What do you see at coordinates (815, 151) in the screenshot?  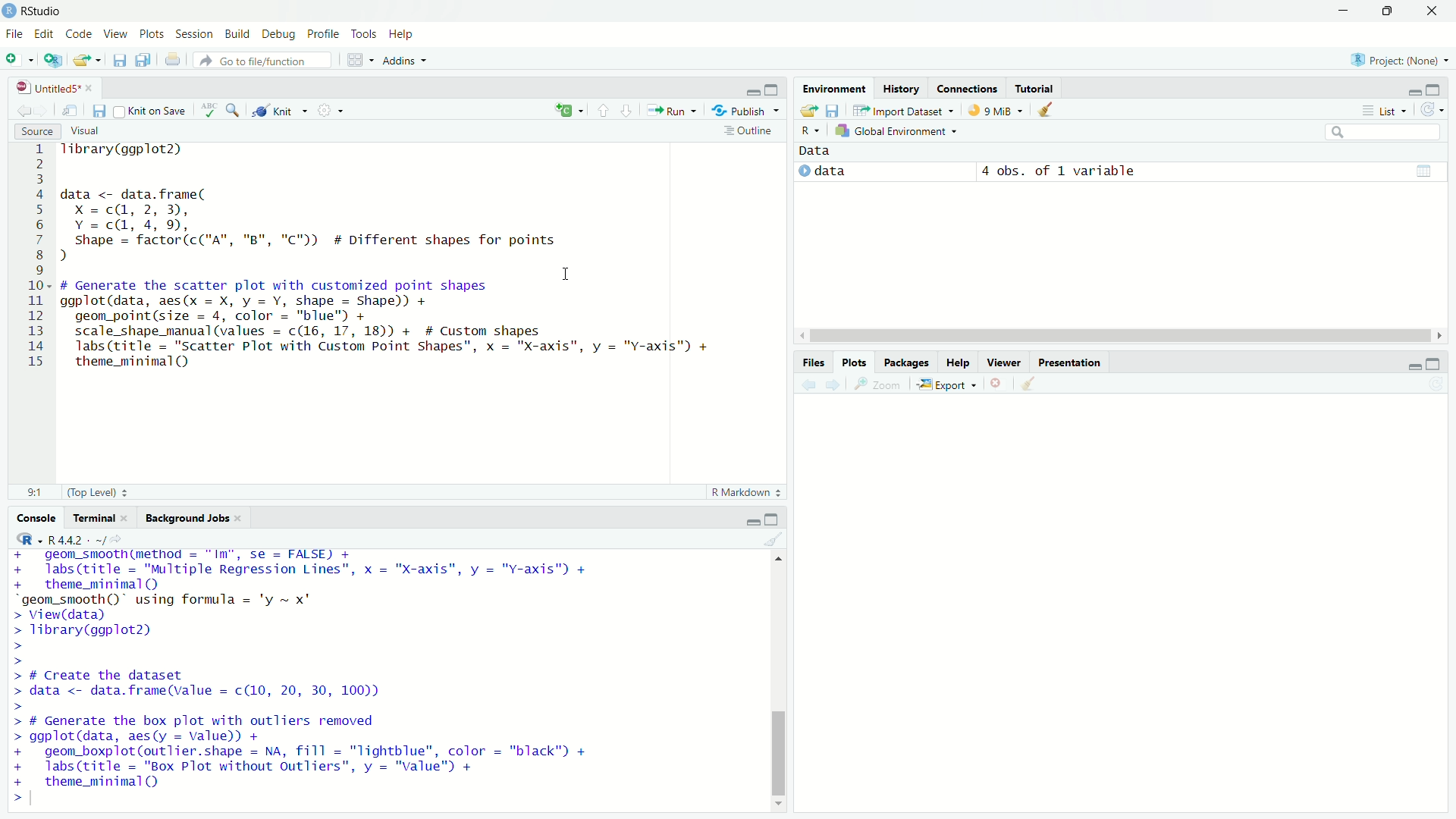 I see `Data` at bounding box center [815, 151].